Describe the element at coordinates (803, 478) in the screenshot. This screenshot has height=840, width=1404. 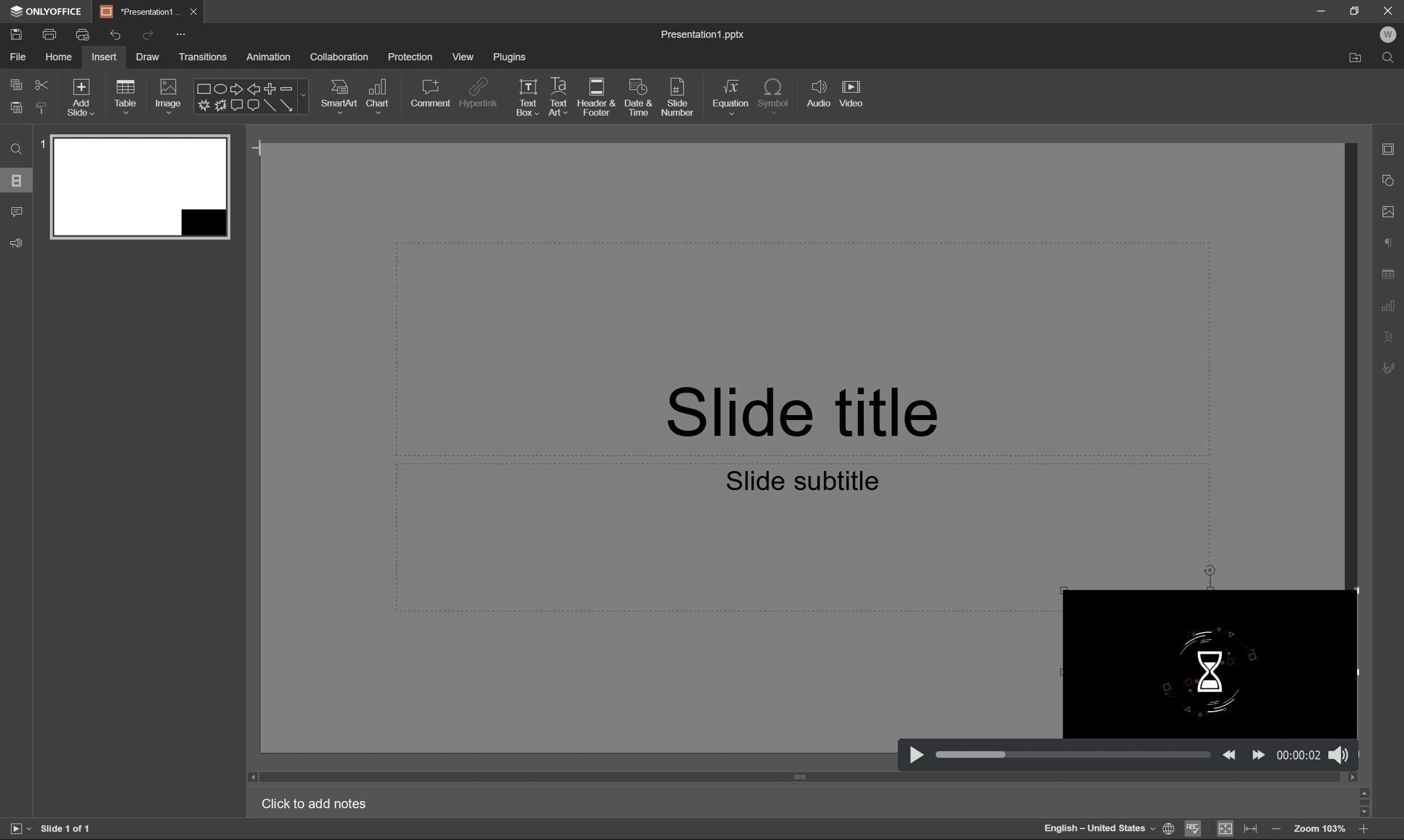
I see `Slide subtitle` at that location.